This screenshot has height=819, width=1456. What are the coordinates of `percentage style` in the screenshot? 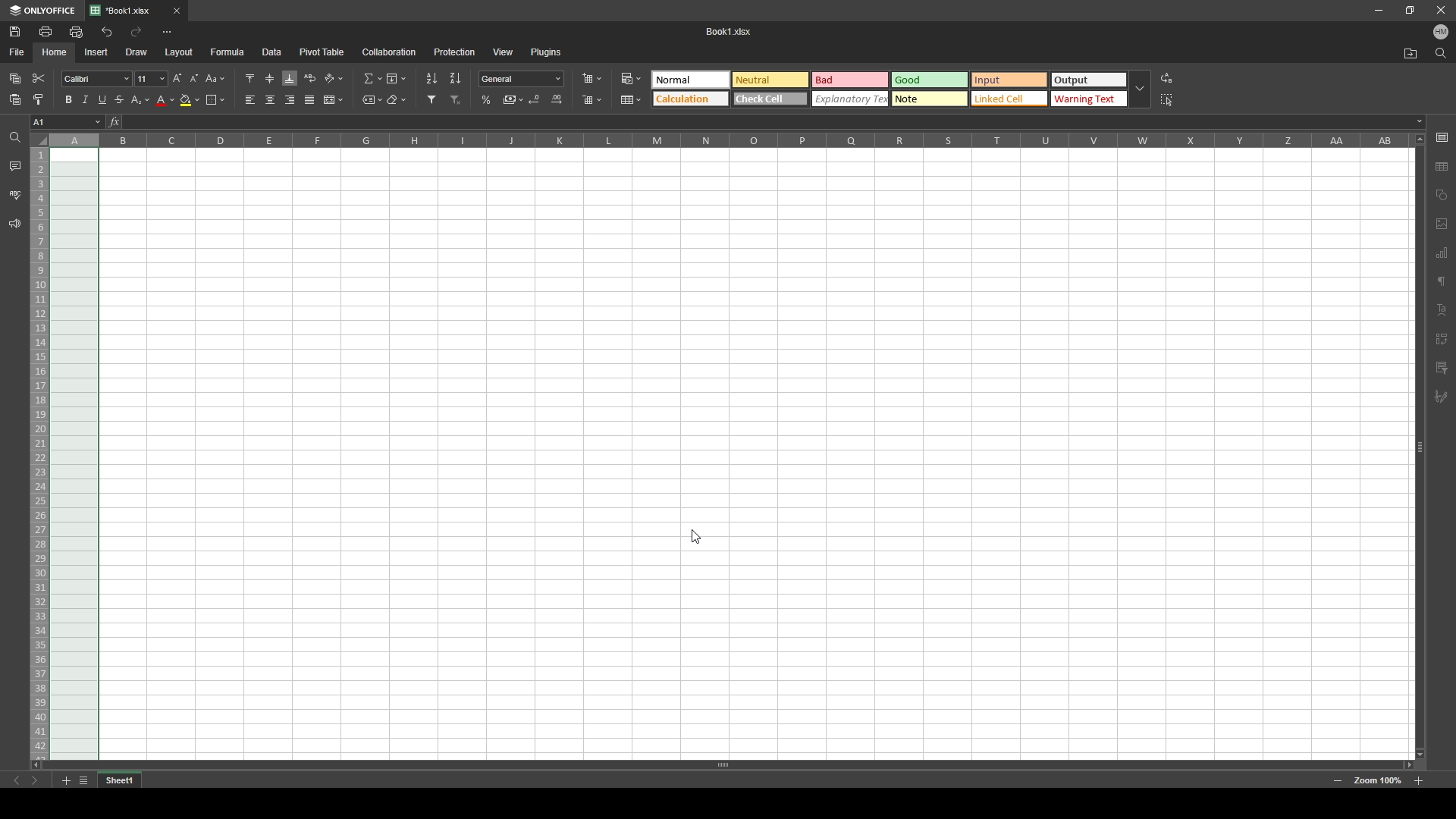 It's located at (486, 99).